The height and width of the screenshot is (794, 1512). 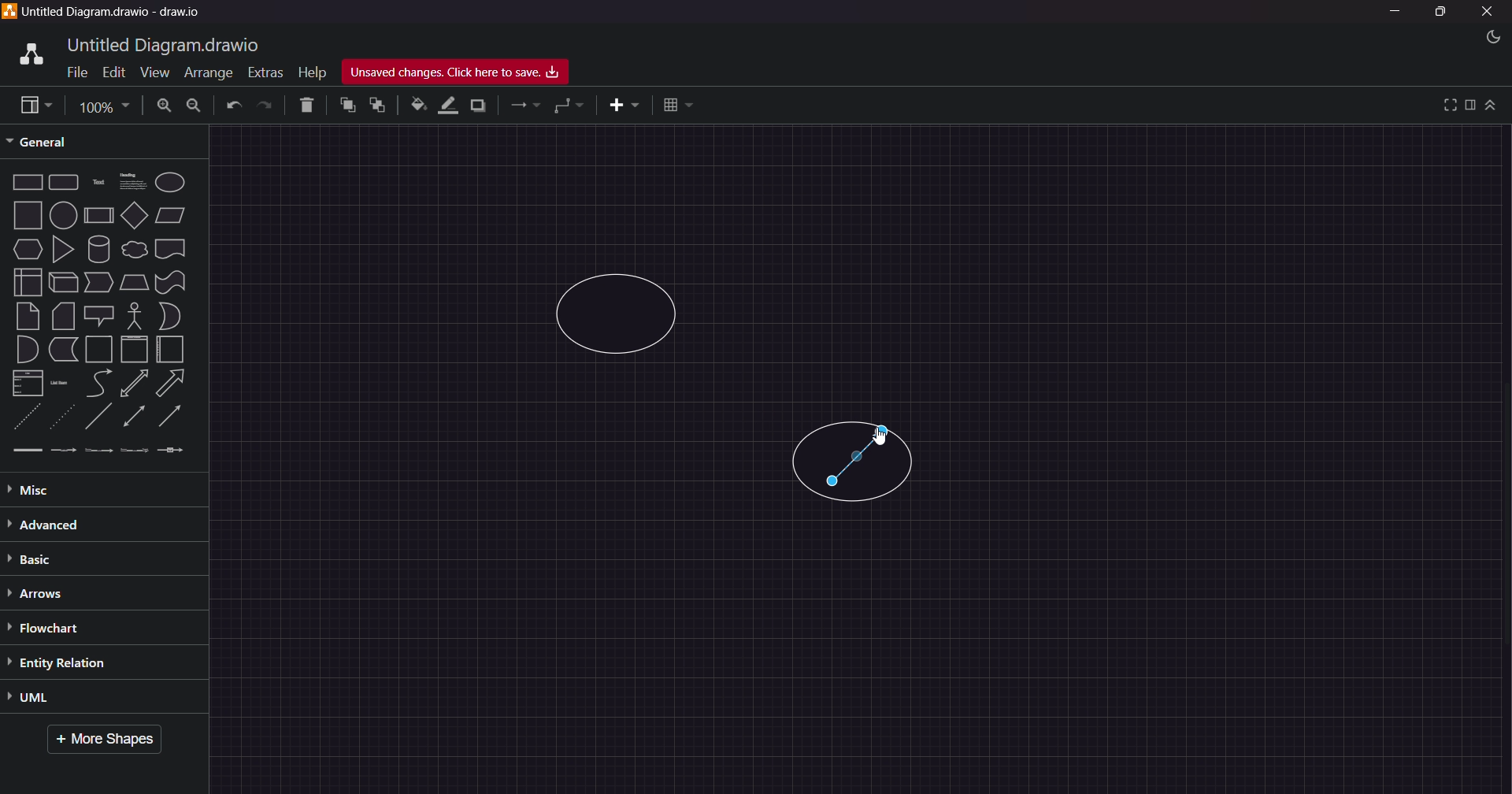 What do you see at coordinates (100, 315) in the screenshot?
I see `Shapes` at bounding box center [100, 315].